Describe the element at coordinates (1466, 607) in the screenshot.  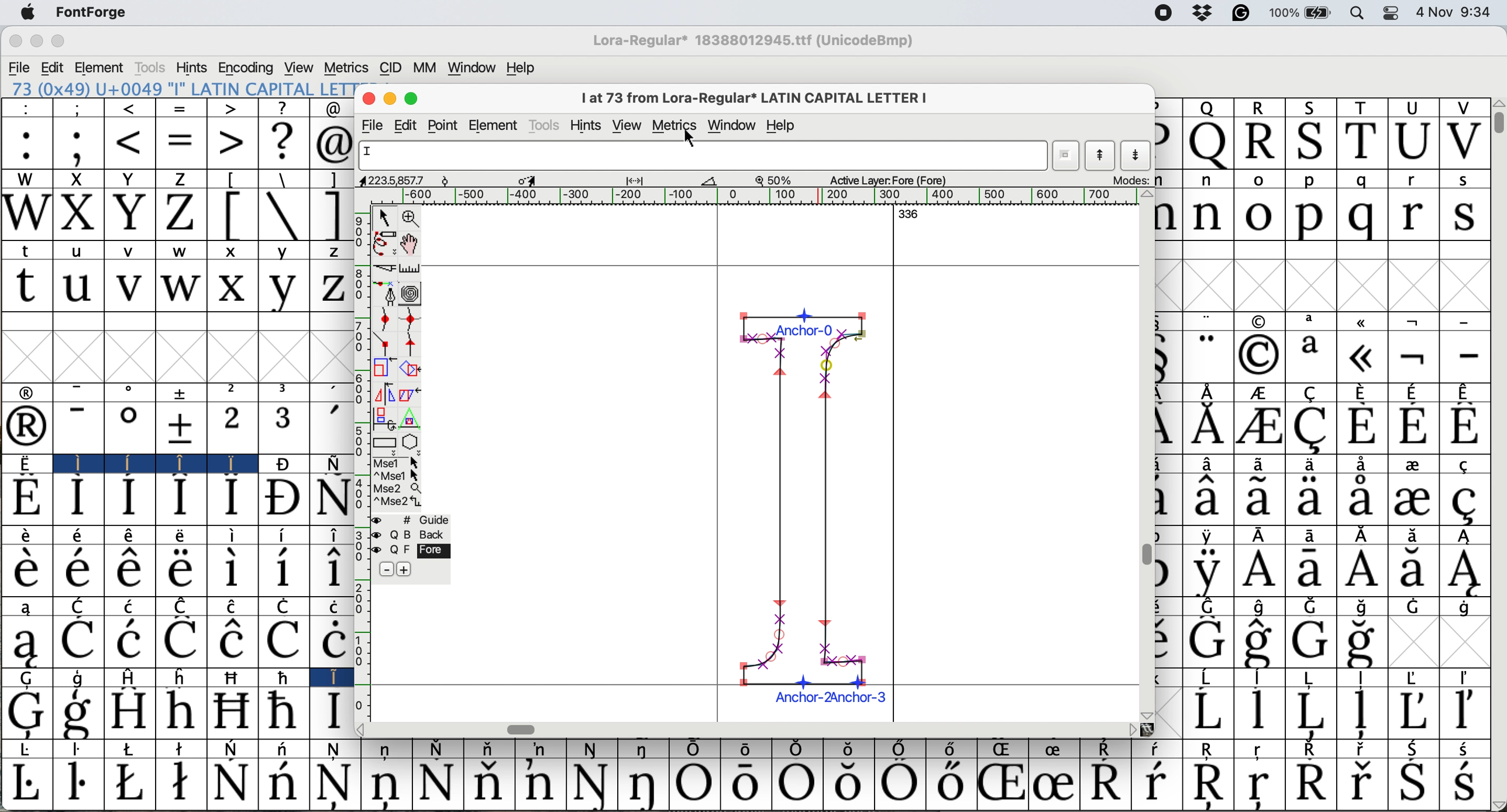
I see `Symbol` at that location.